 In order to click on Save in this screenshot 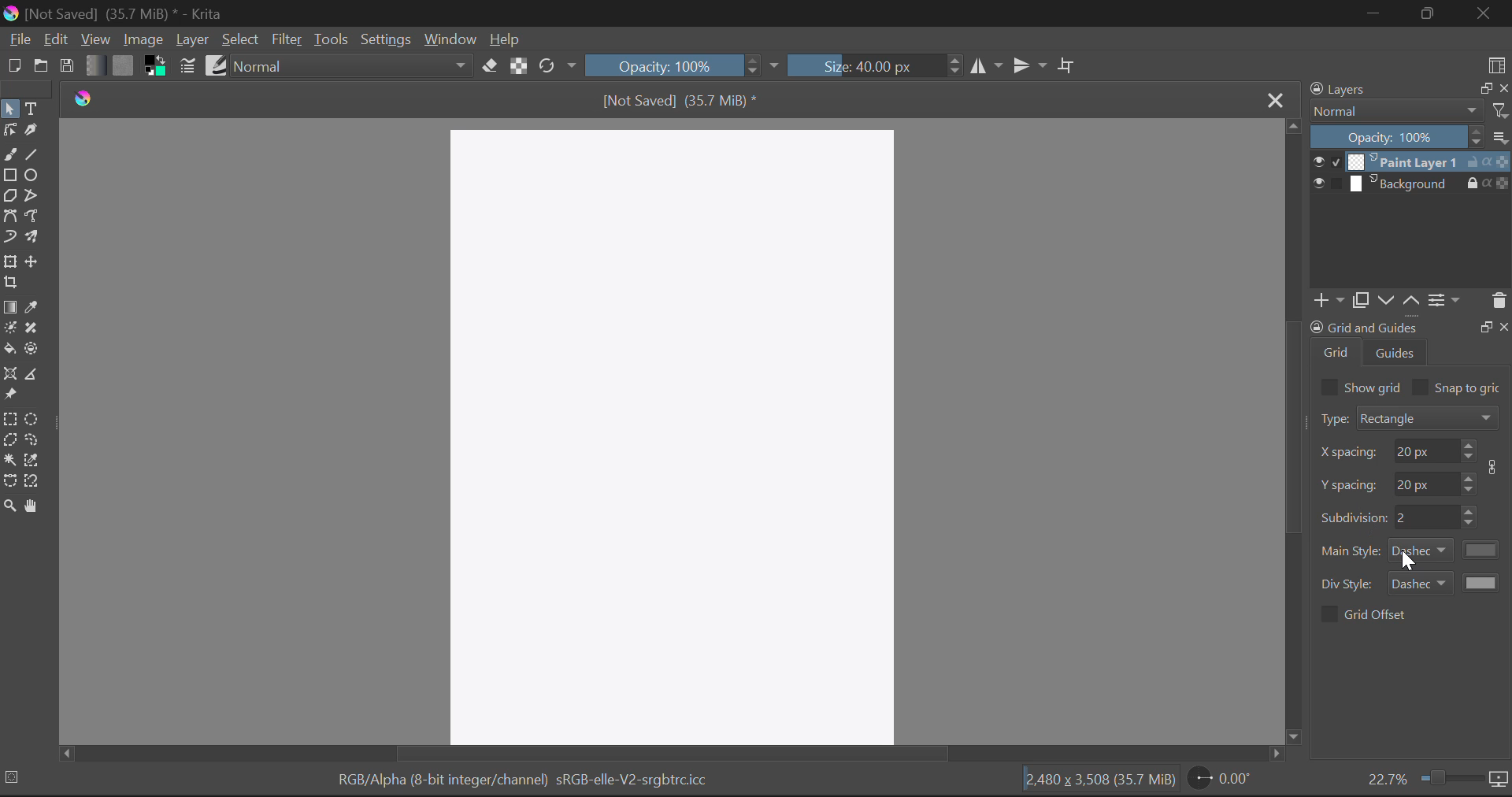, I will do `click(66, 63)`.